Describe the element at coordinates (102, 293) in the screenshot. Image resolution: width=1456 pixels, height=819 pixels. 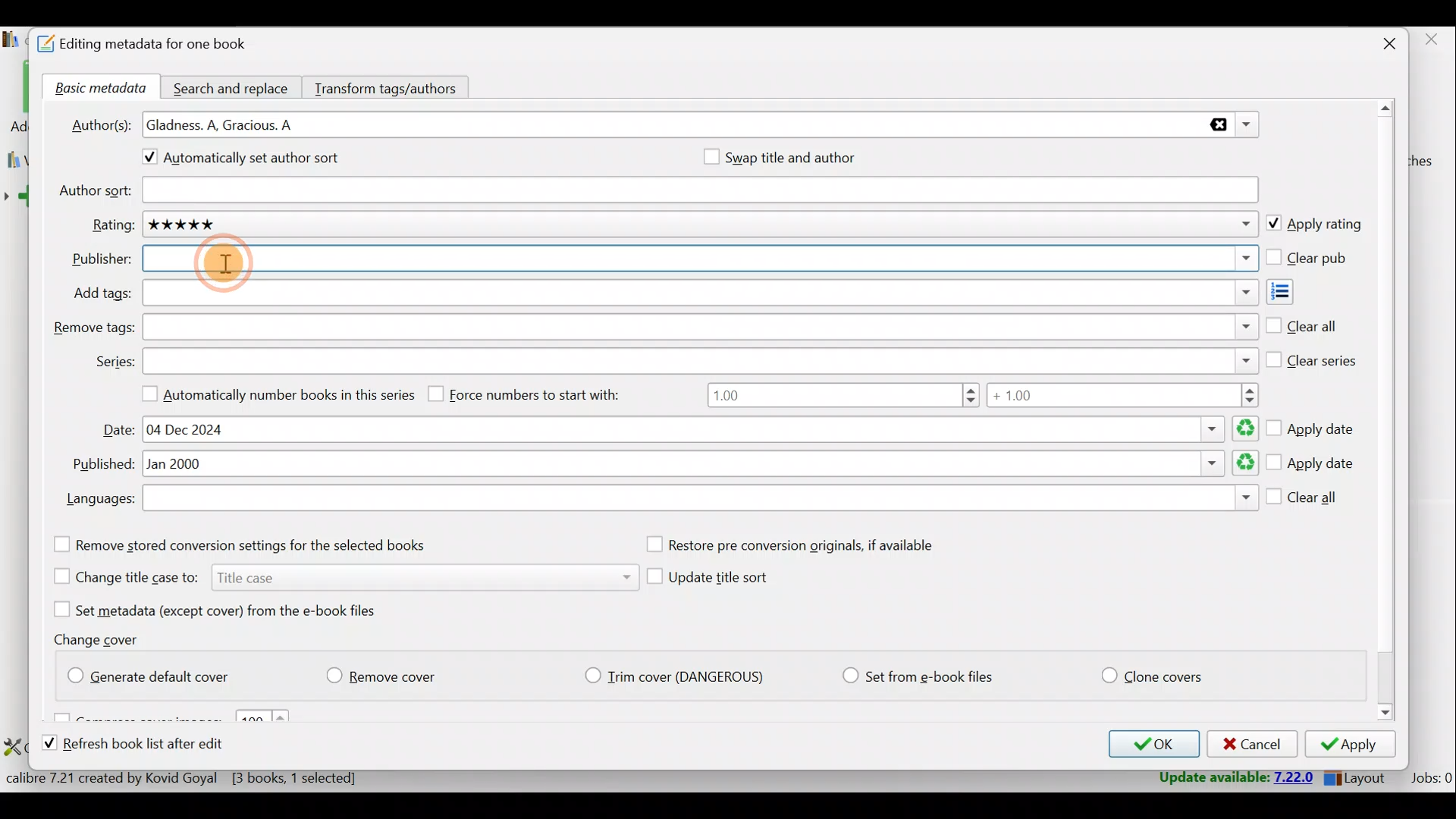
I see `Add tags:` at that location.